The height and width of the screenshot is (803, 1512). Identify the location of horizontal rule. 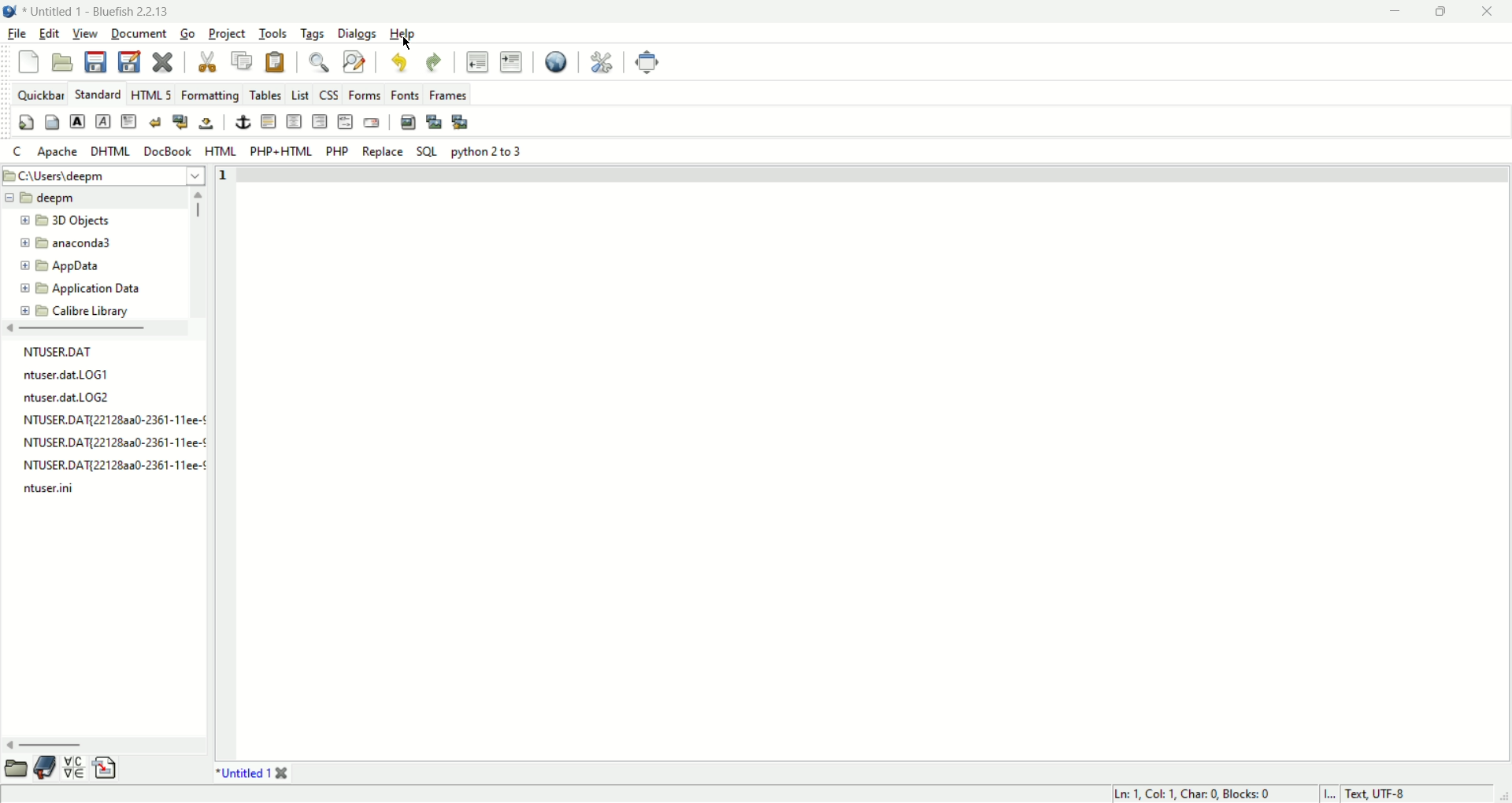
(269, 121).